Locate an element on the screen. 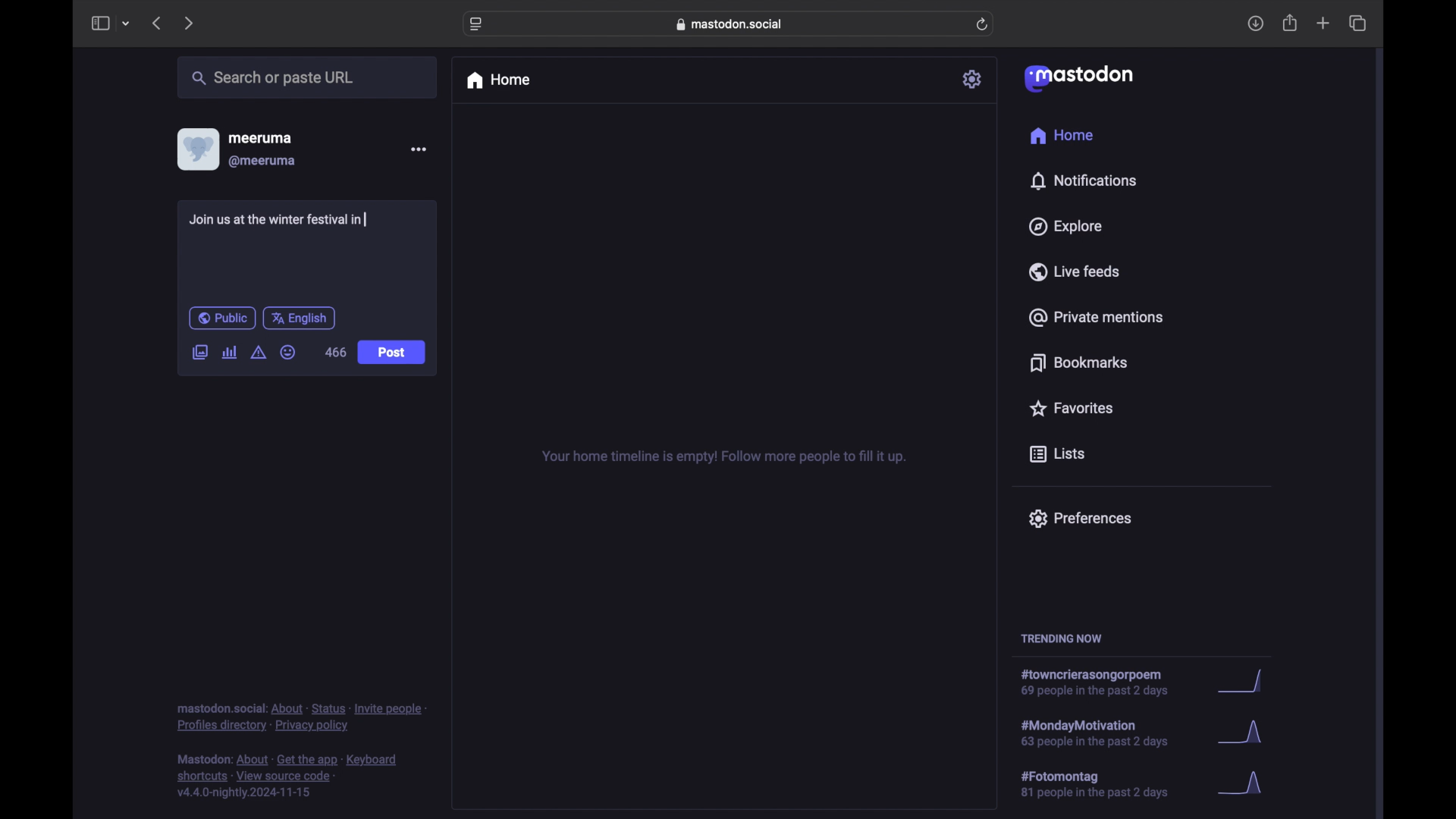 Image resolution: width=1456 pixels, height=819 pixels. private mentions is located at coordinates (1097, 317).